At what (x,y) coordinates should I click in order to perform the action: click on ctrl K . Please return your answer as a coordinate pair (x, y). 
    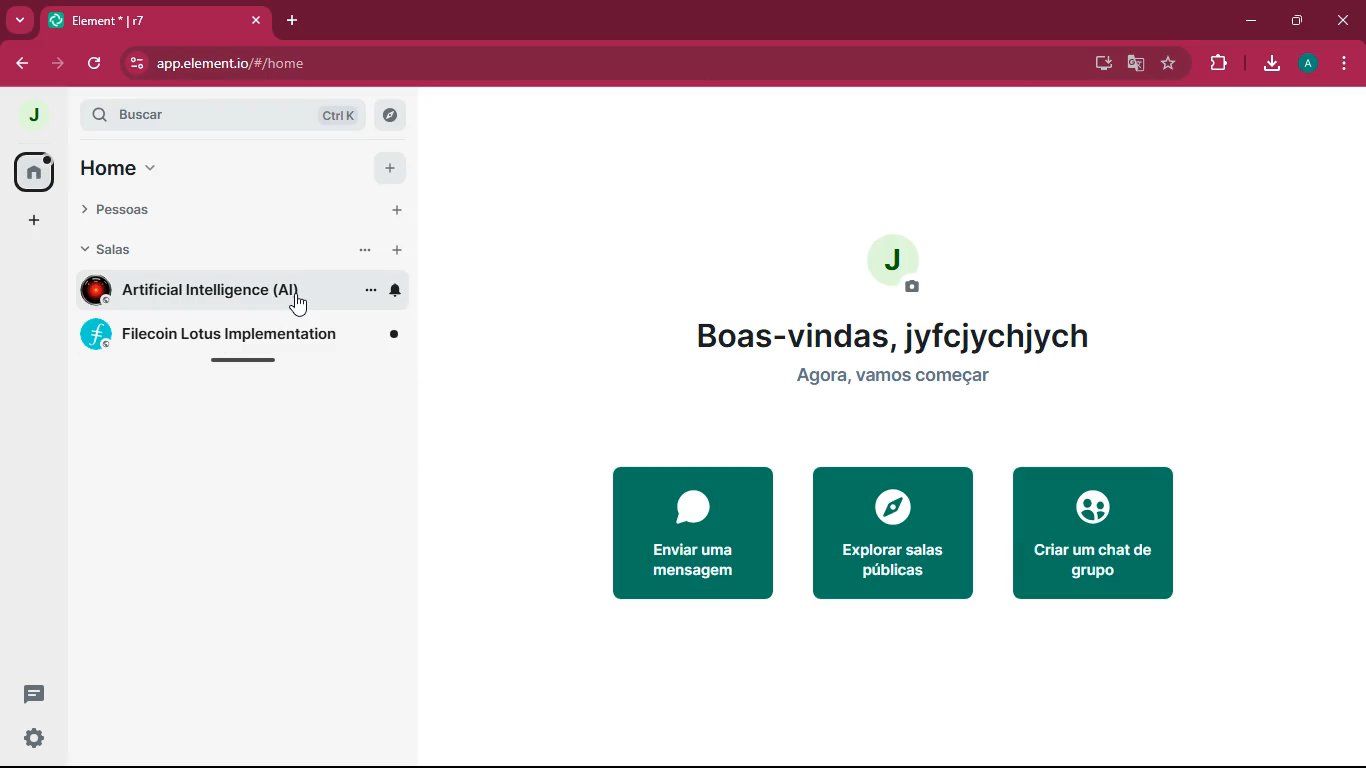
    Looking at the image, I should click on (332, 115).